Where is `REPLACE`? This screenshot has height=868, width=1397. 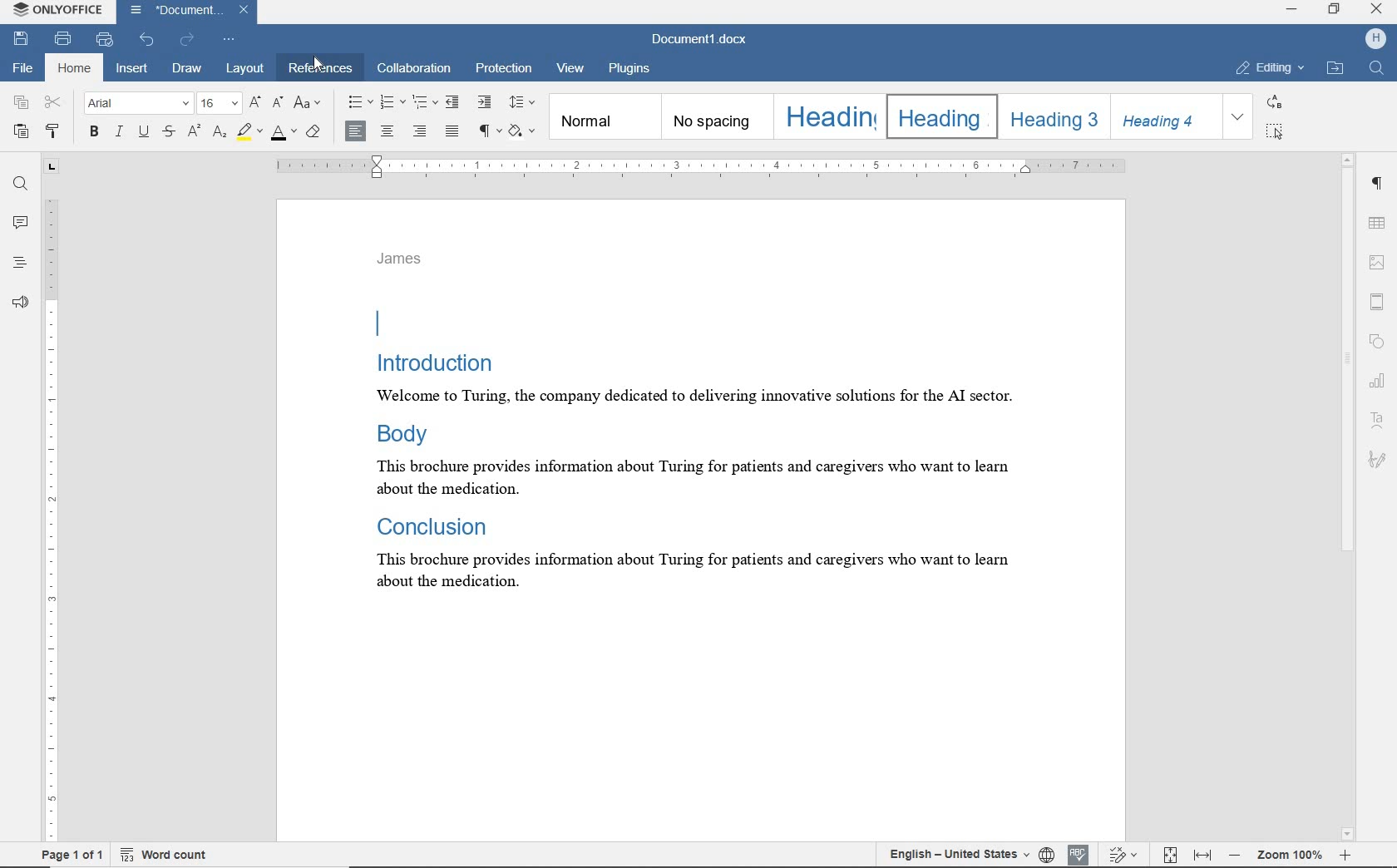
REPLACE is located at coordinates (1275, 102).